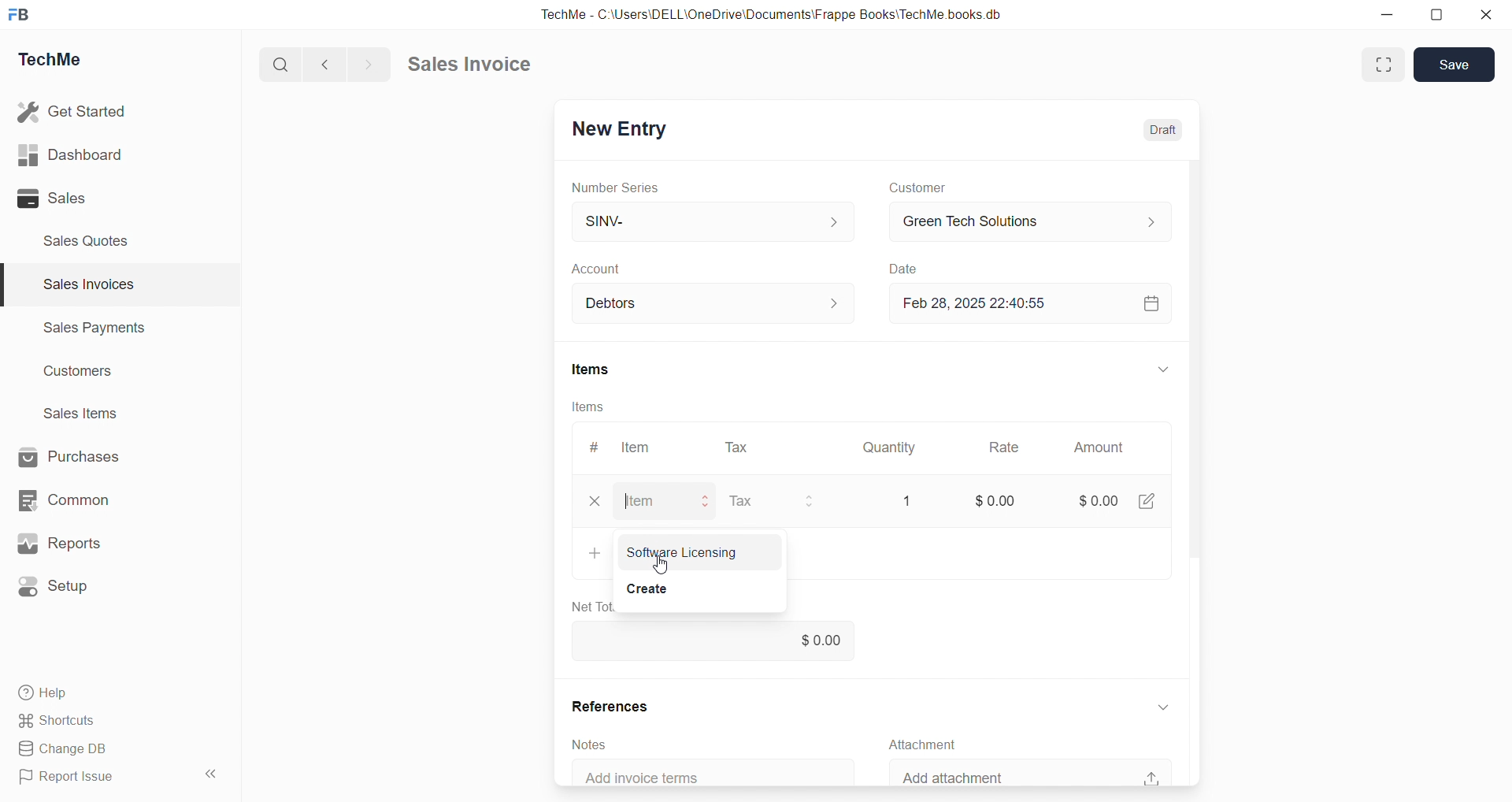  Describe the element at coordinates (996, 500) in the screenshot. I see `$0.00` at that location.